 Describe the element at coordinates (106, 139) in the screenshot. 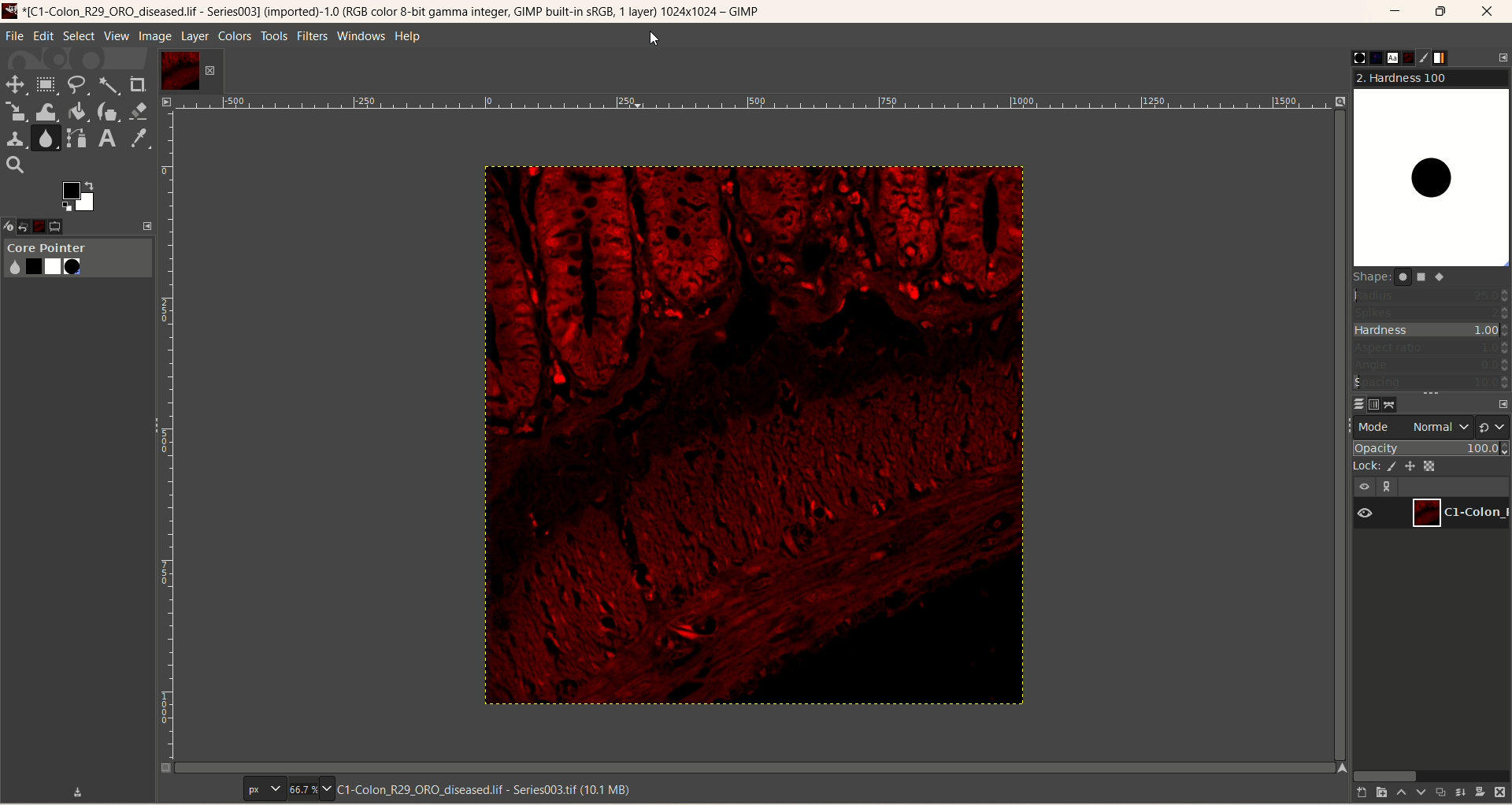

I see `text tool` at that location.